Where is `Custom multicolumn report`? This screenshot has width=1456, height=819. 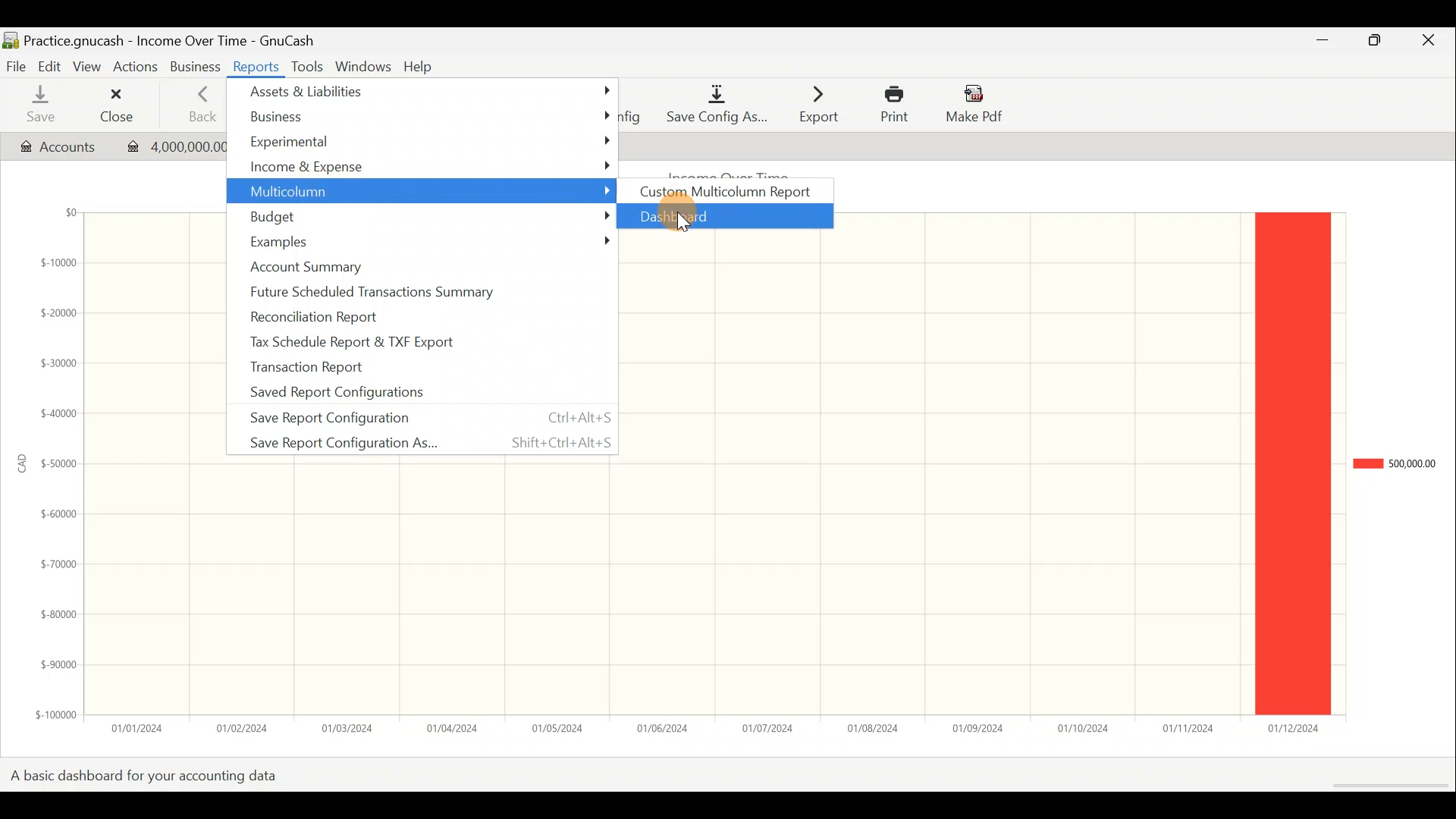
Custom multicolumn report is located at coordinates (721, 192).